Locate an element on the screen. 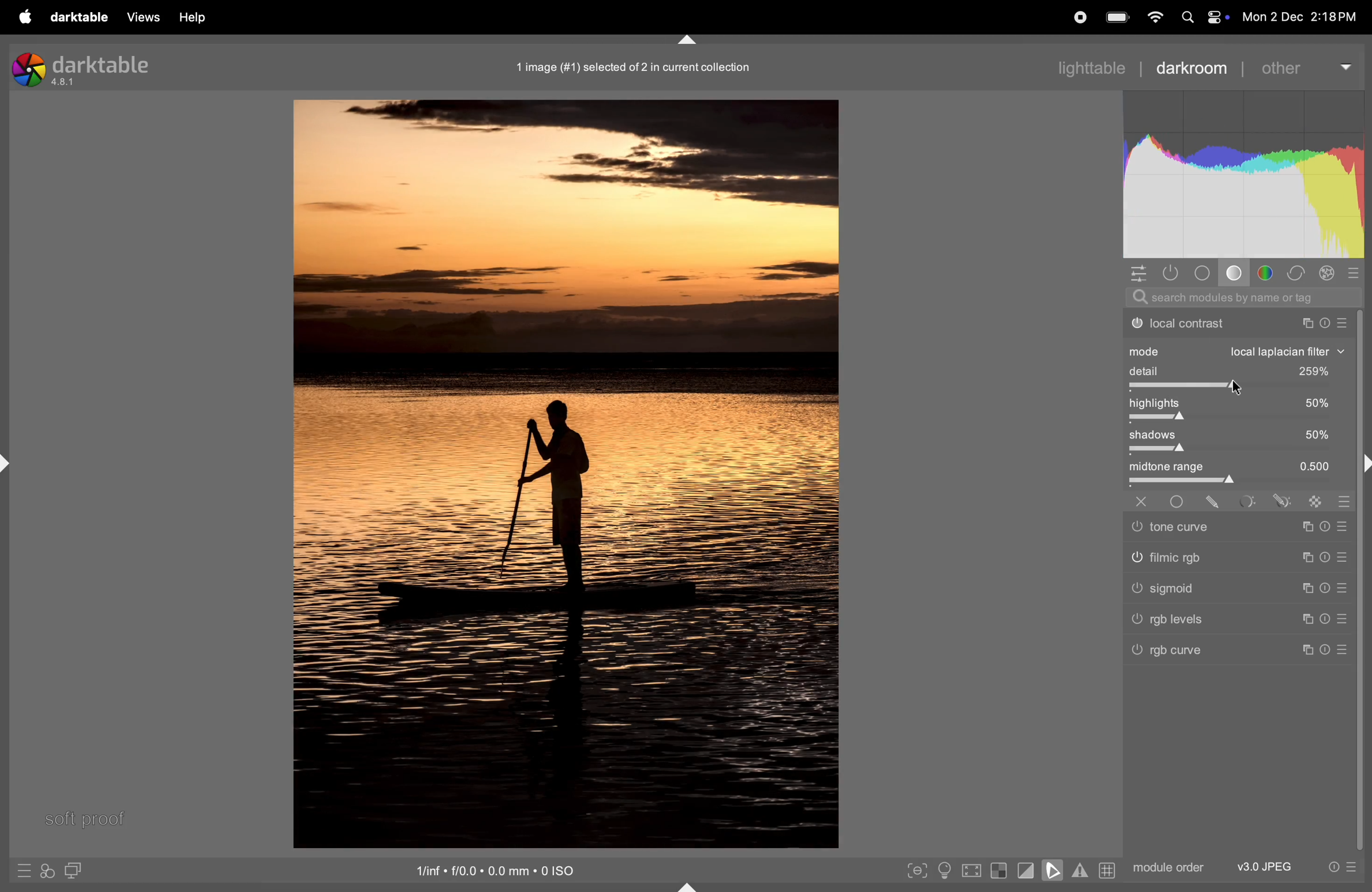 Image resolution: width=1372 pixels, height=892 pixels. module order is located at coordinates (1166, 867).